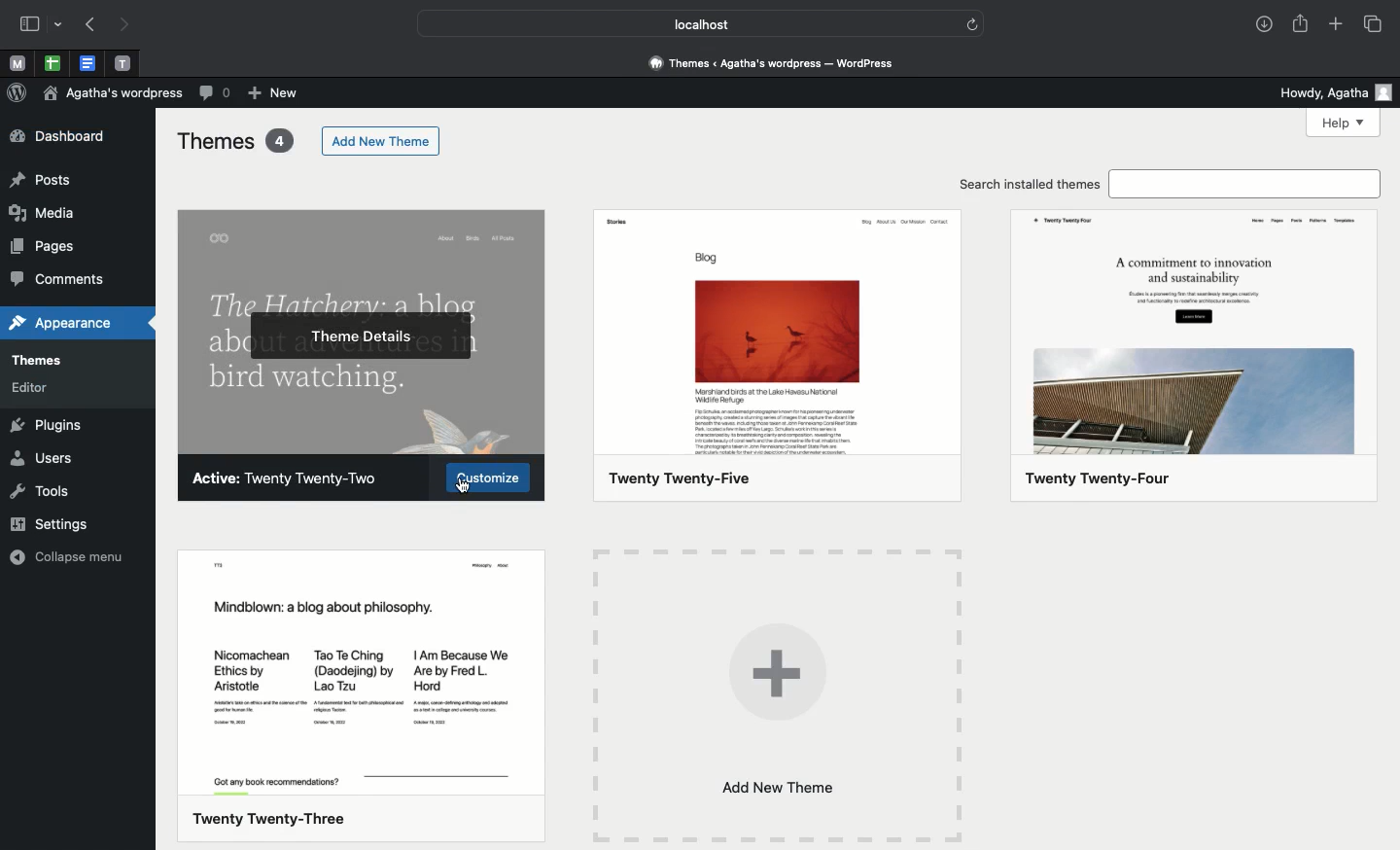 This screenshot has width=1400, height=850. I want to click on Tools, so click(42, 490).